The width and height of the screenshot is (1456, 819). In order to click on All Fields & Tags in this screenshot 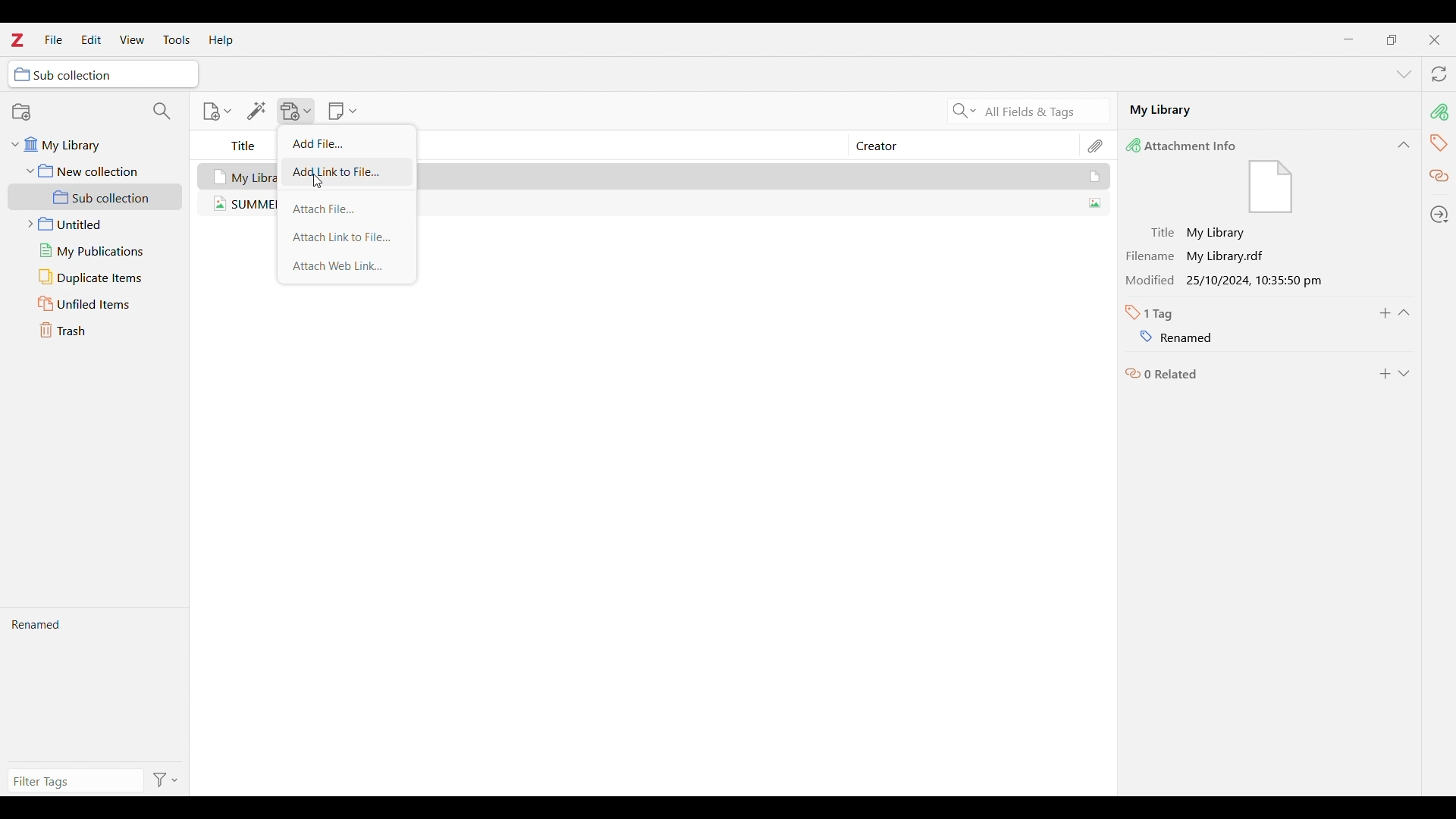, I will do `click(1046, 111)`.